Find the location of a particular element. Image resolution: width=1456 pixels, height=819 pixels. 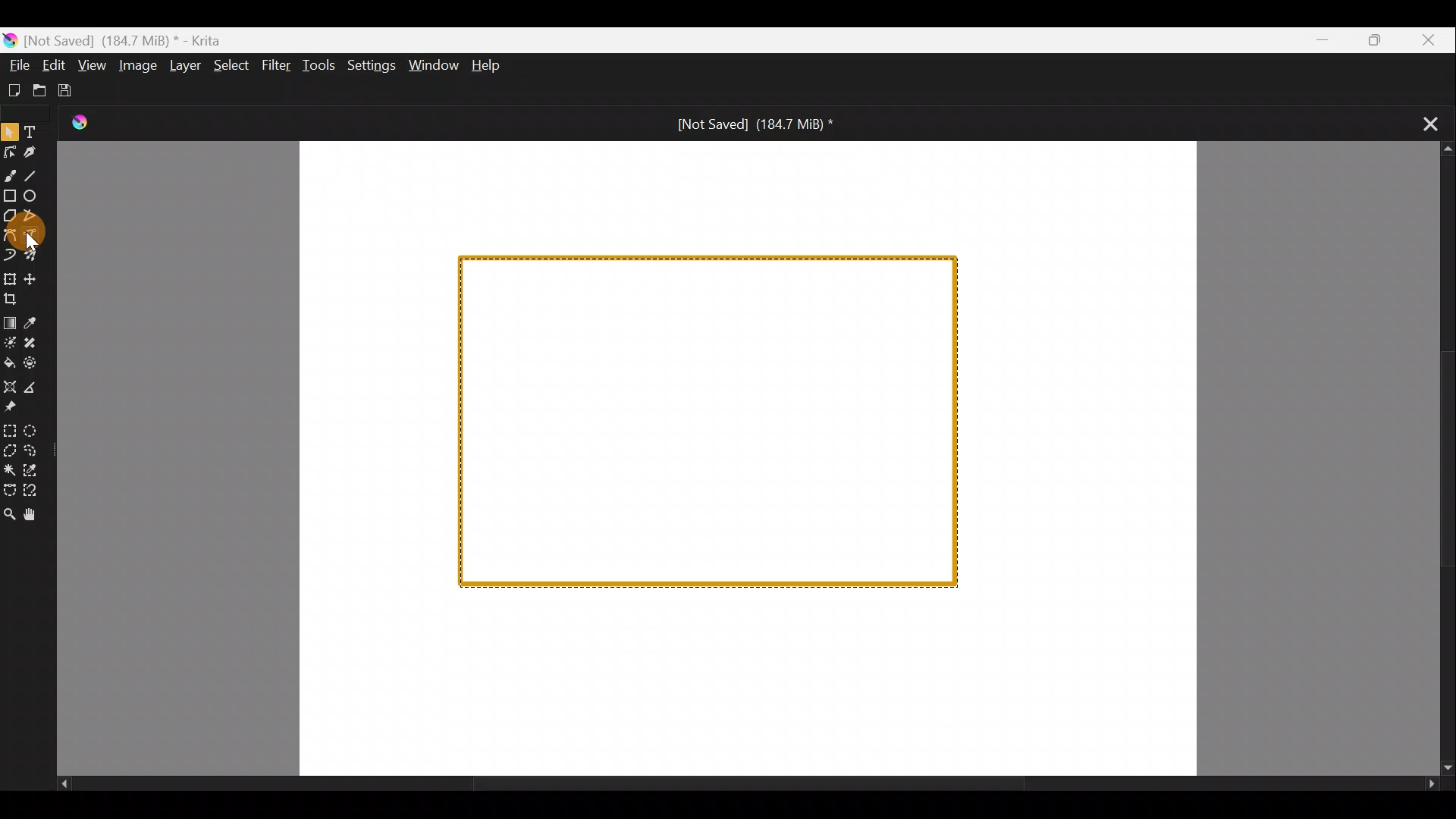

Colourise mask tool is located at coordinates (10, 344).